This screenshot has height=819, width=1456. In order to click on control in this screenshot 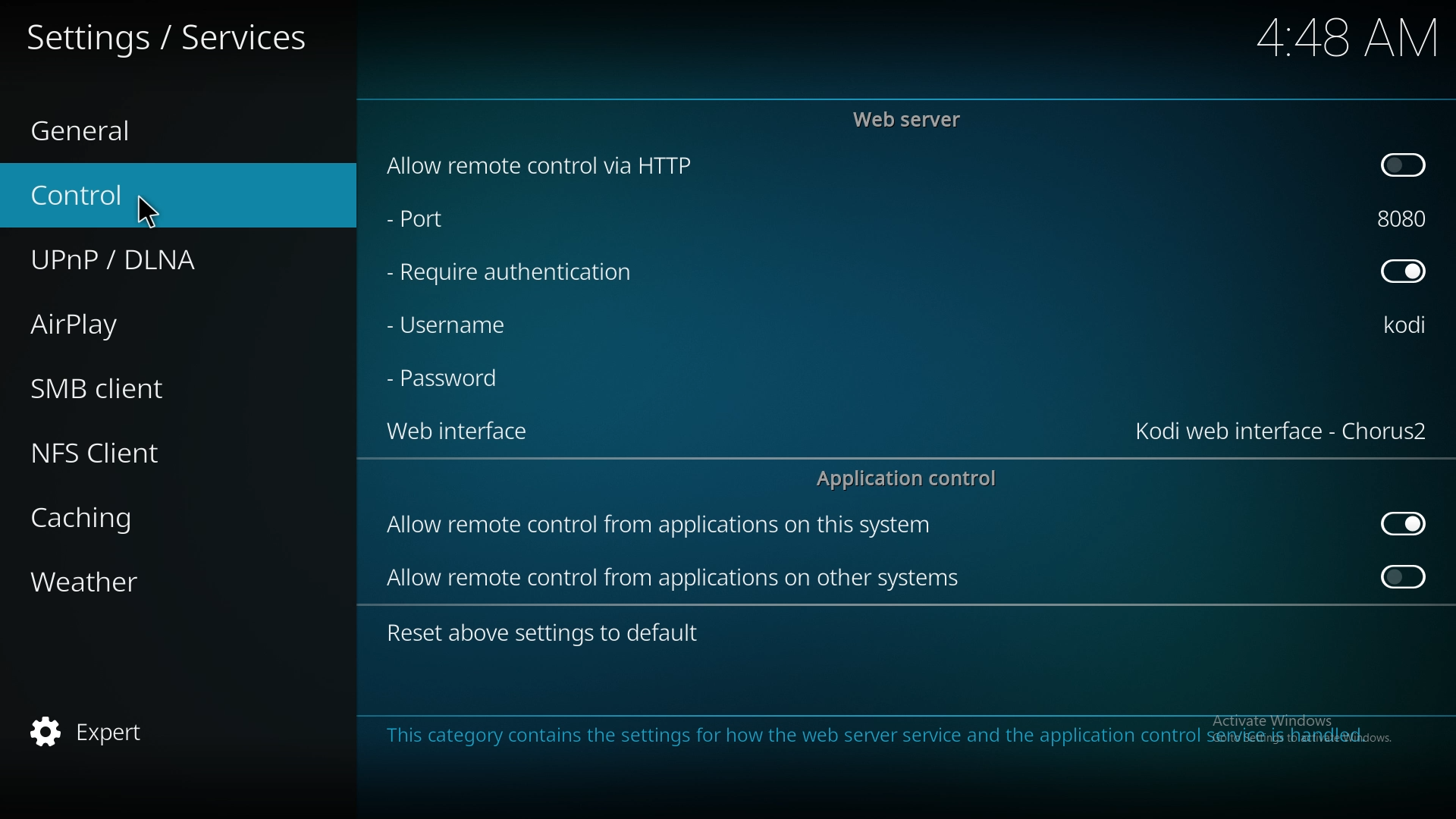, I will do `click(111, 194)`.